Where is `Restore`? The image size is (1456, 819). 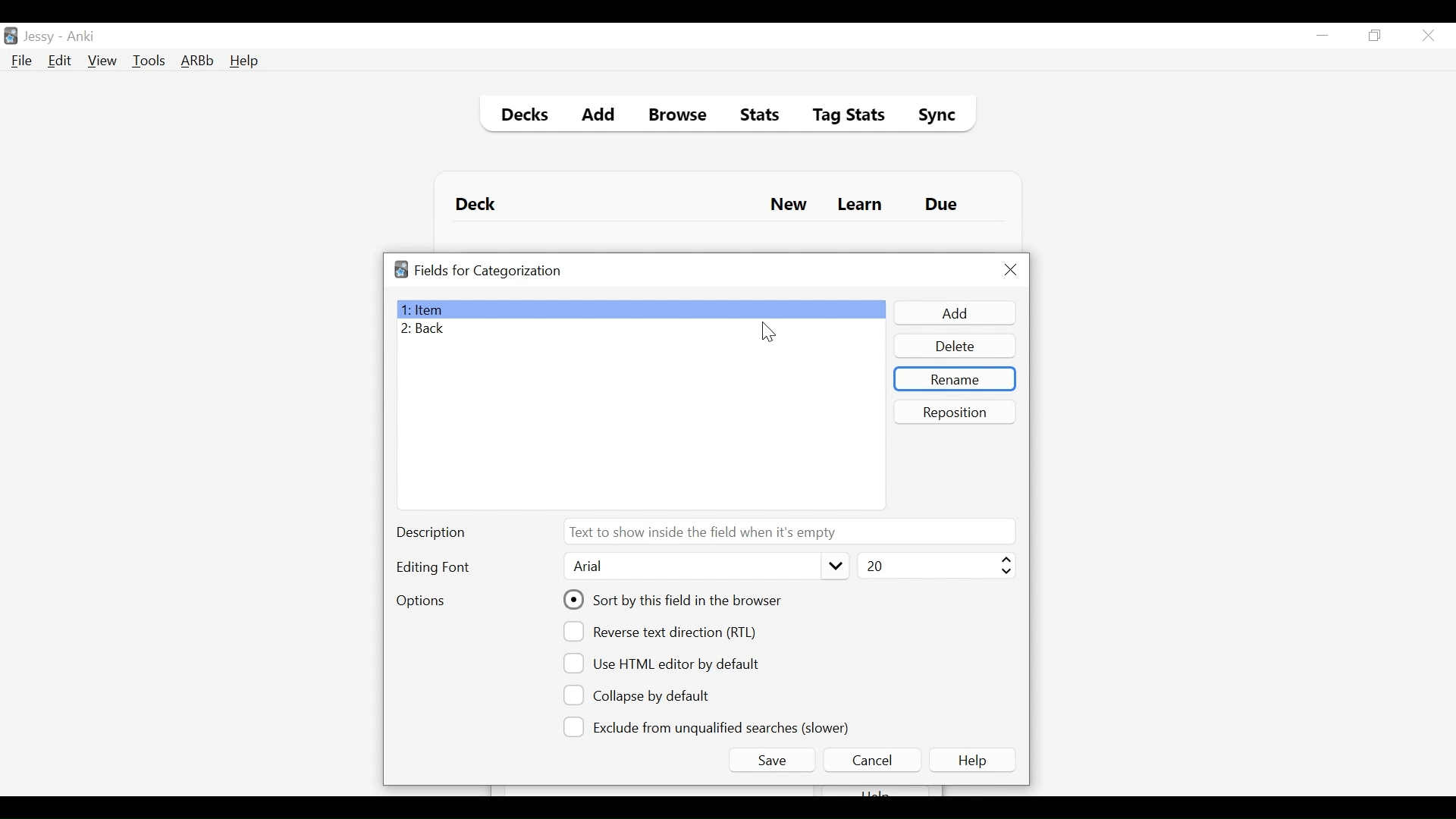 Restore is located at coordinates (1376, 36).